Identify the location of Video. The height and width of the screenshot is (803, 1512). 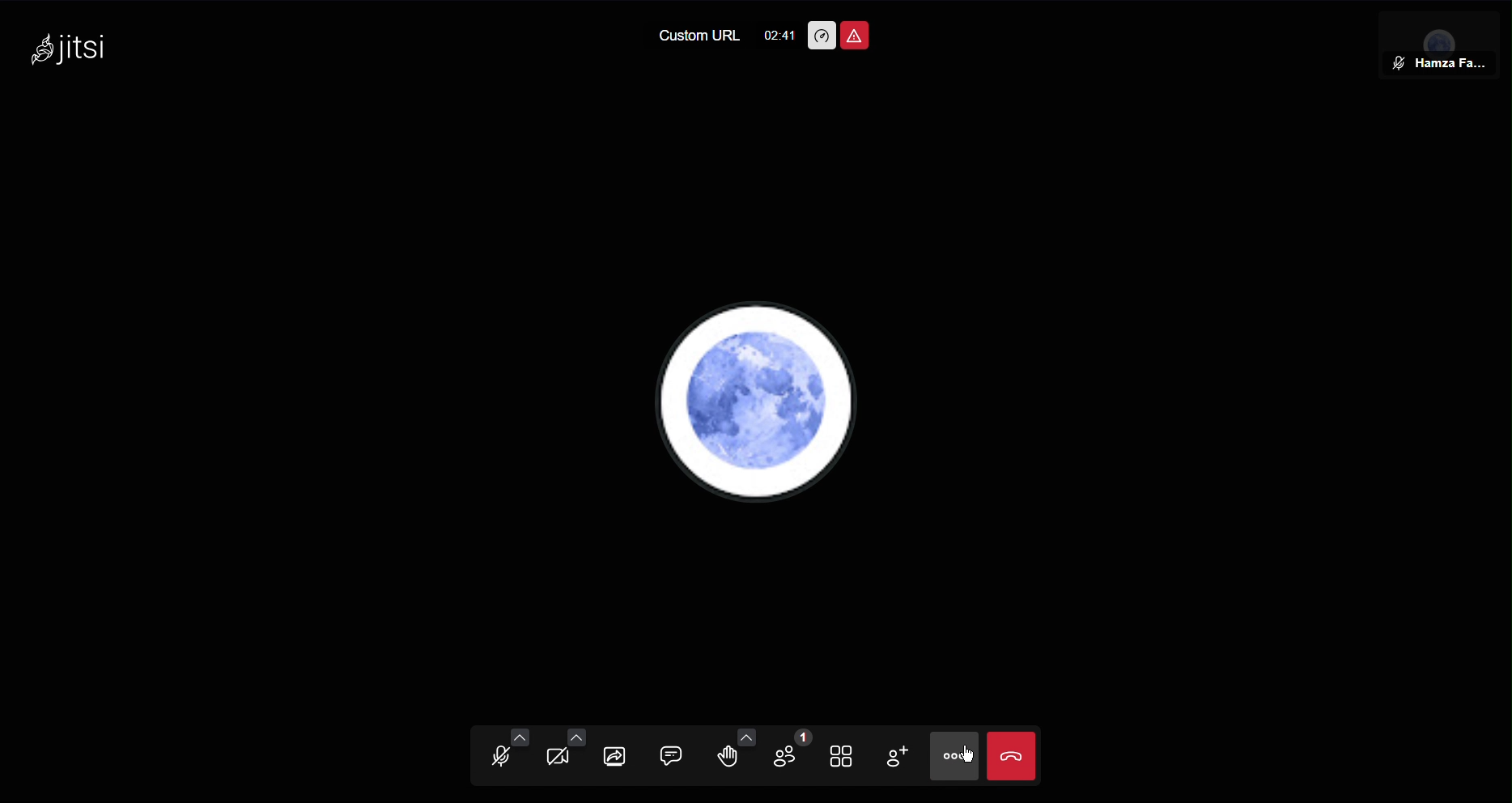
(558, 757).